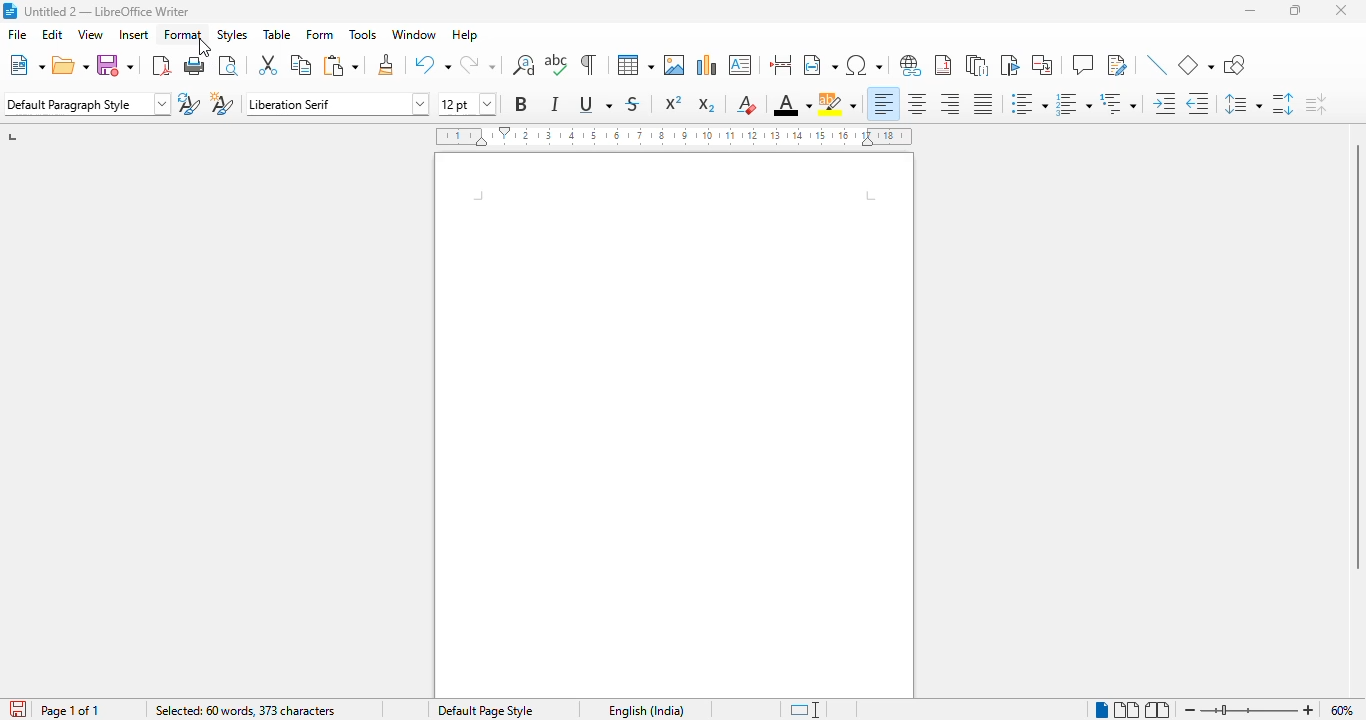 The height and width of the screenshot is (720, 1366). I want to click on ruler, so click(674, 136).